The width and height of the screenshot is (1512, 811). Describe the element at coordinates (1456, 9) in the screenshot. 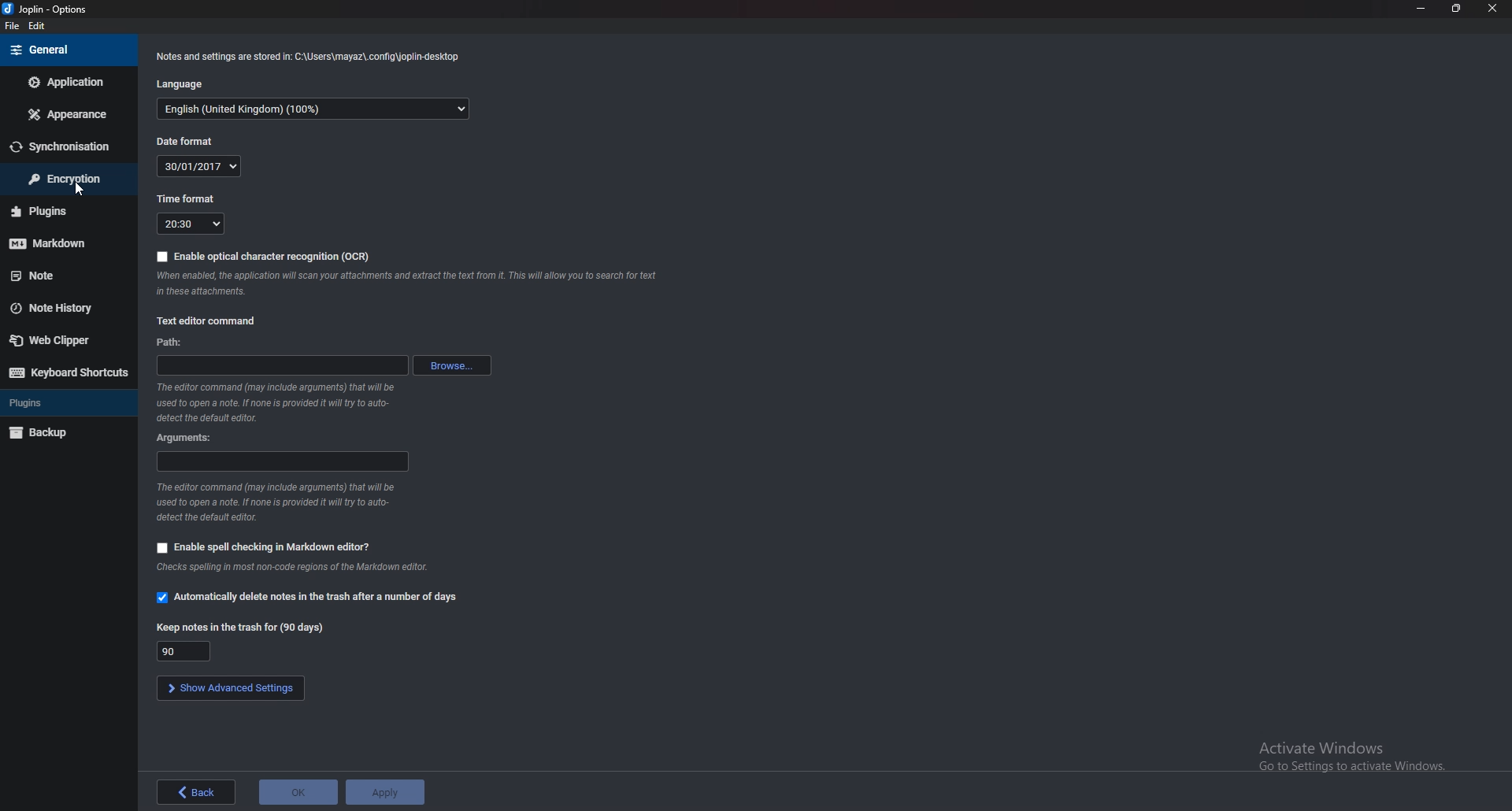

I see `resize` at that location.